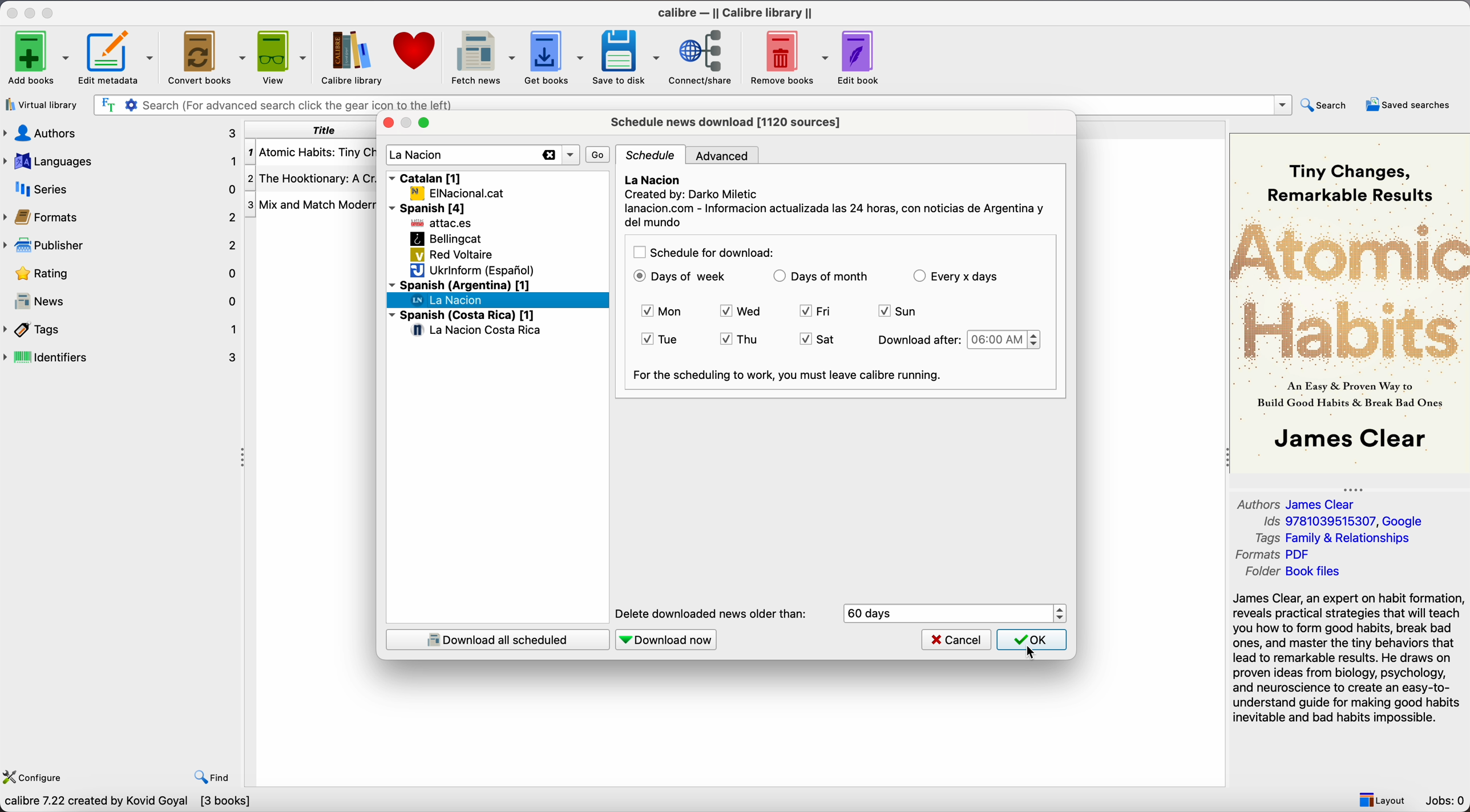 This screenshot has width=1470, height=812. I want to click on Spanish (Argentina) [1], so click(459, 284).